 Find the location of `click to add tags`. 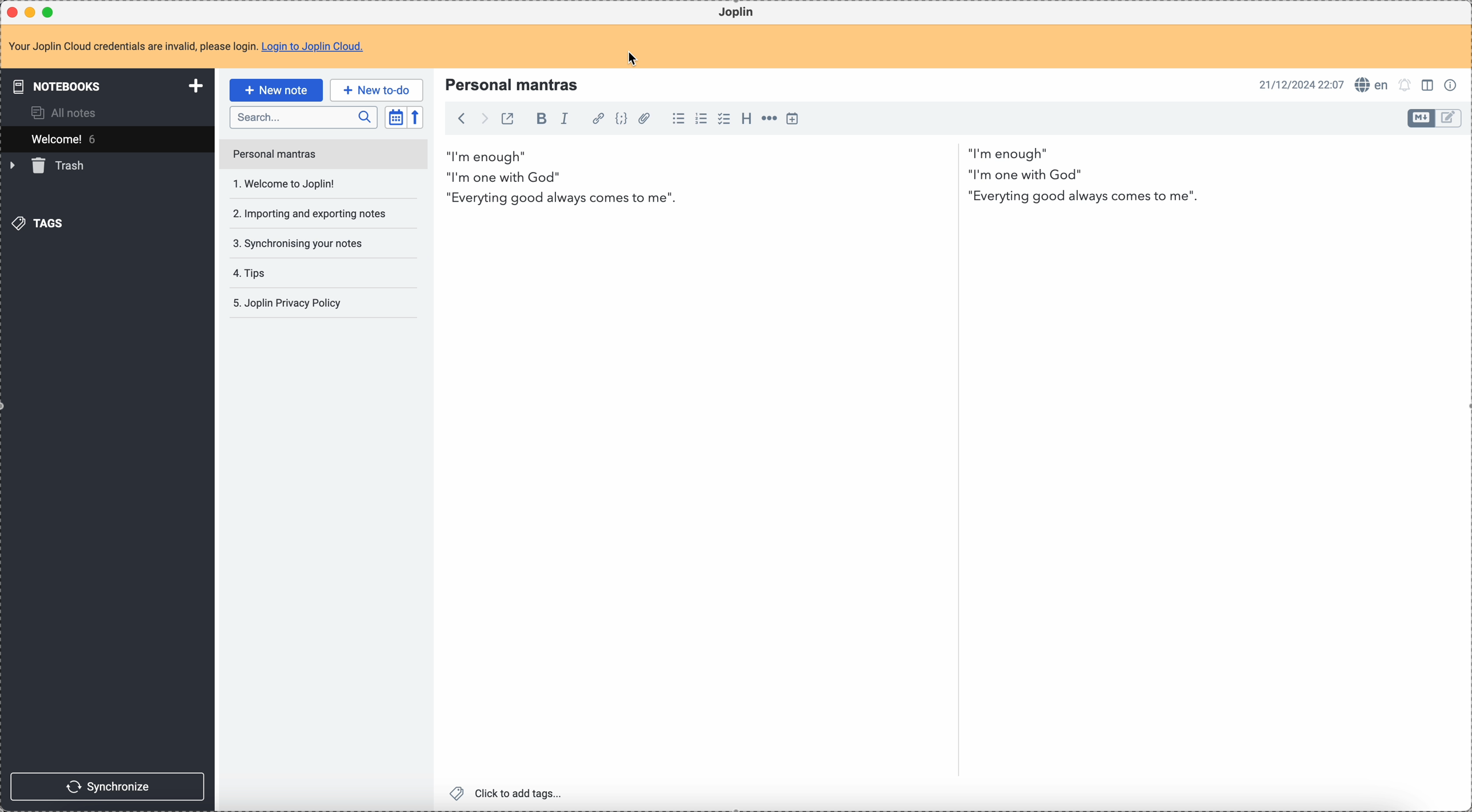

click to add tags is located at coordinates (509, 792).